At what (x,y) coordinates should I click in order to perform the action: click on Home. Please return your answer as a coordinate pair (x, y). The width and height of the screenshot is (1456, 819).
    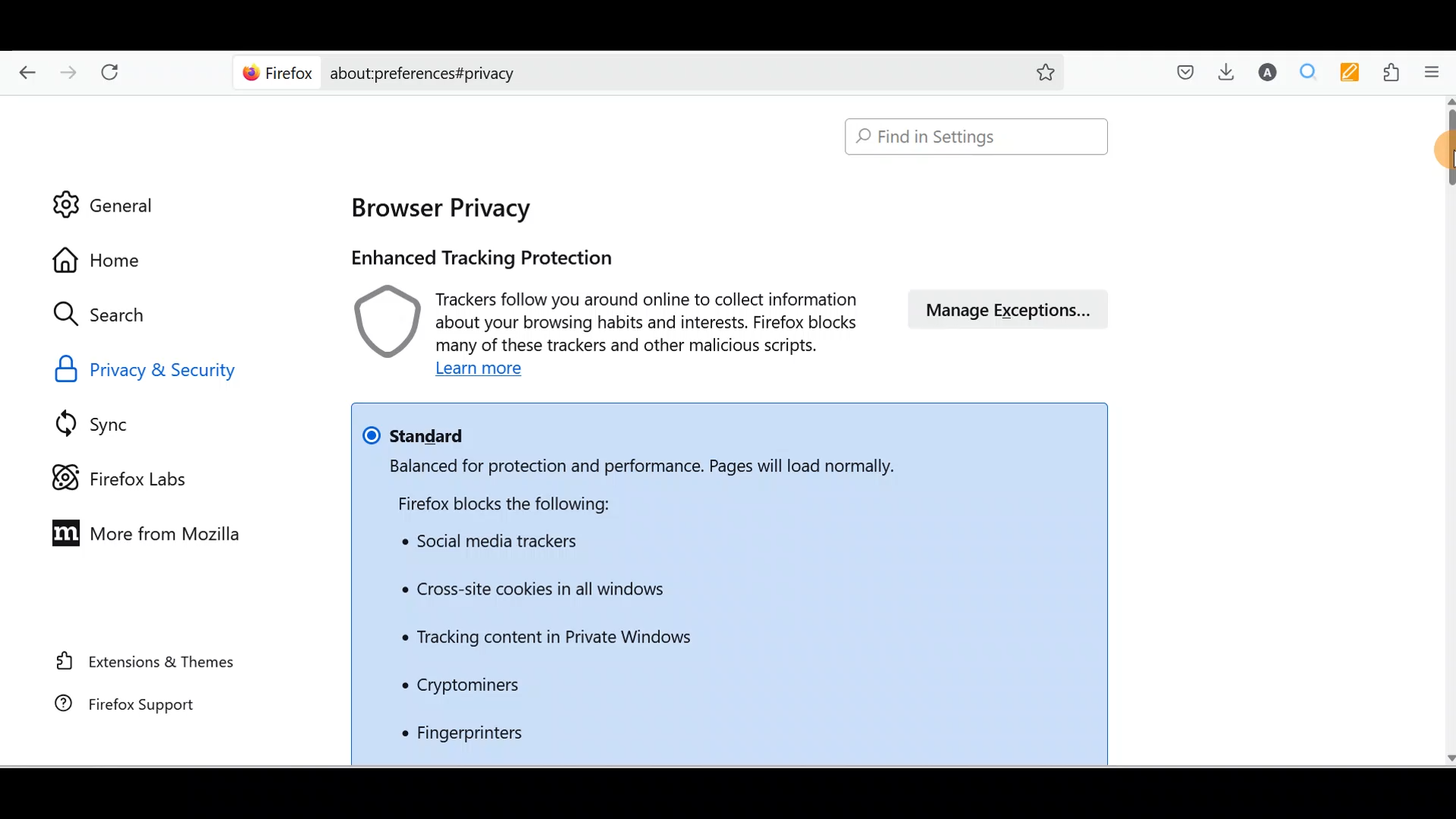
    Looking at the image, I should click on (104, 260).